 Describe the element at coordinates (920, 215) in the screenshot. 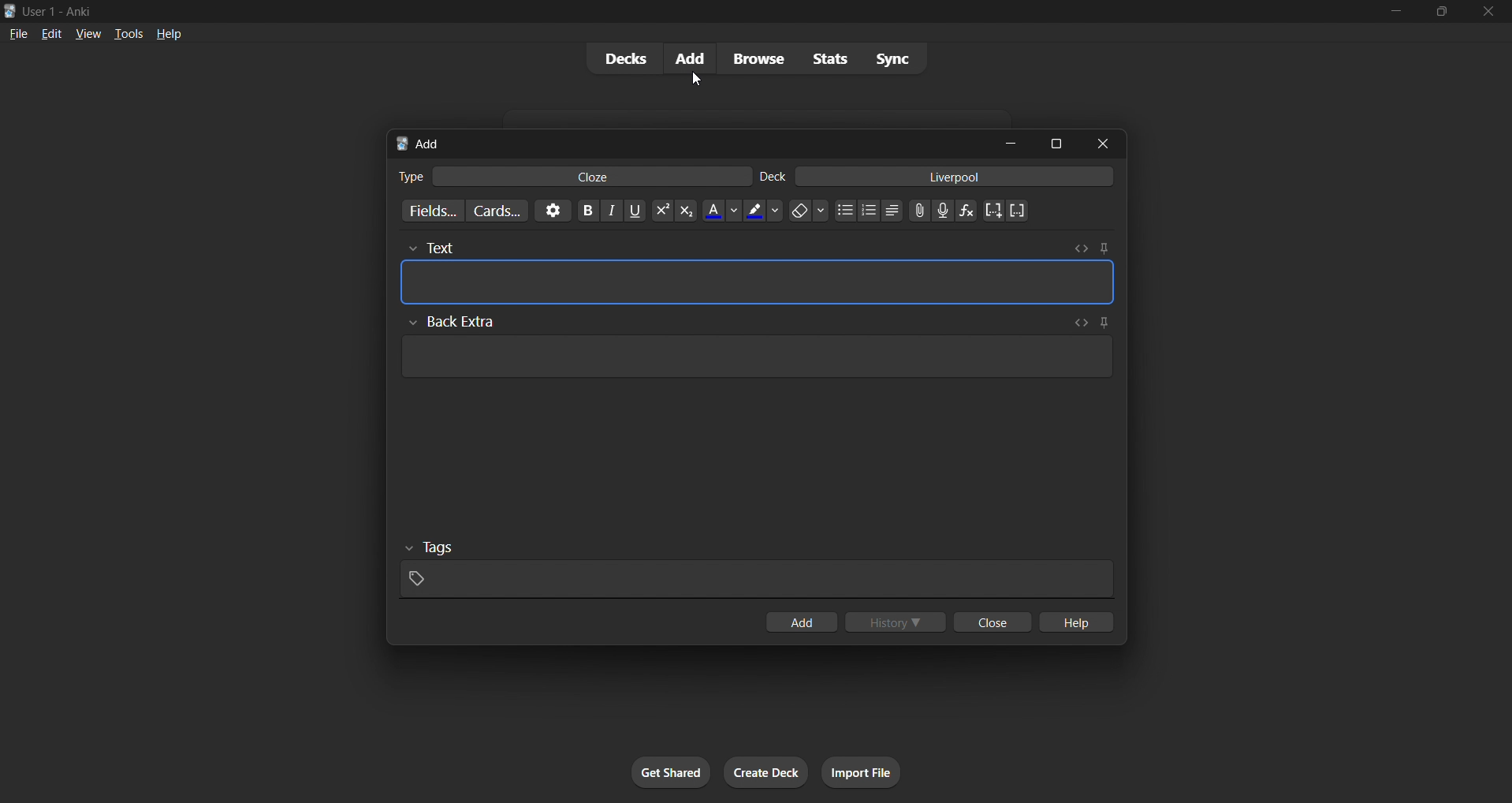

I see `insert images` at that location.